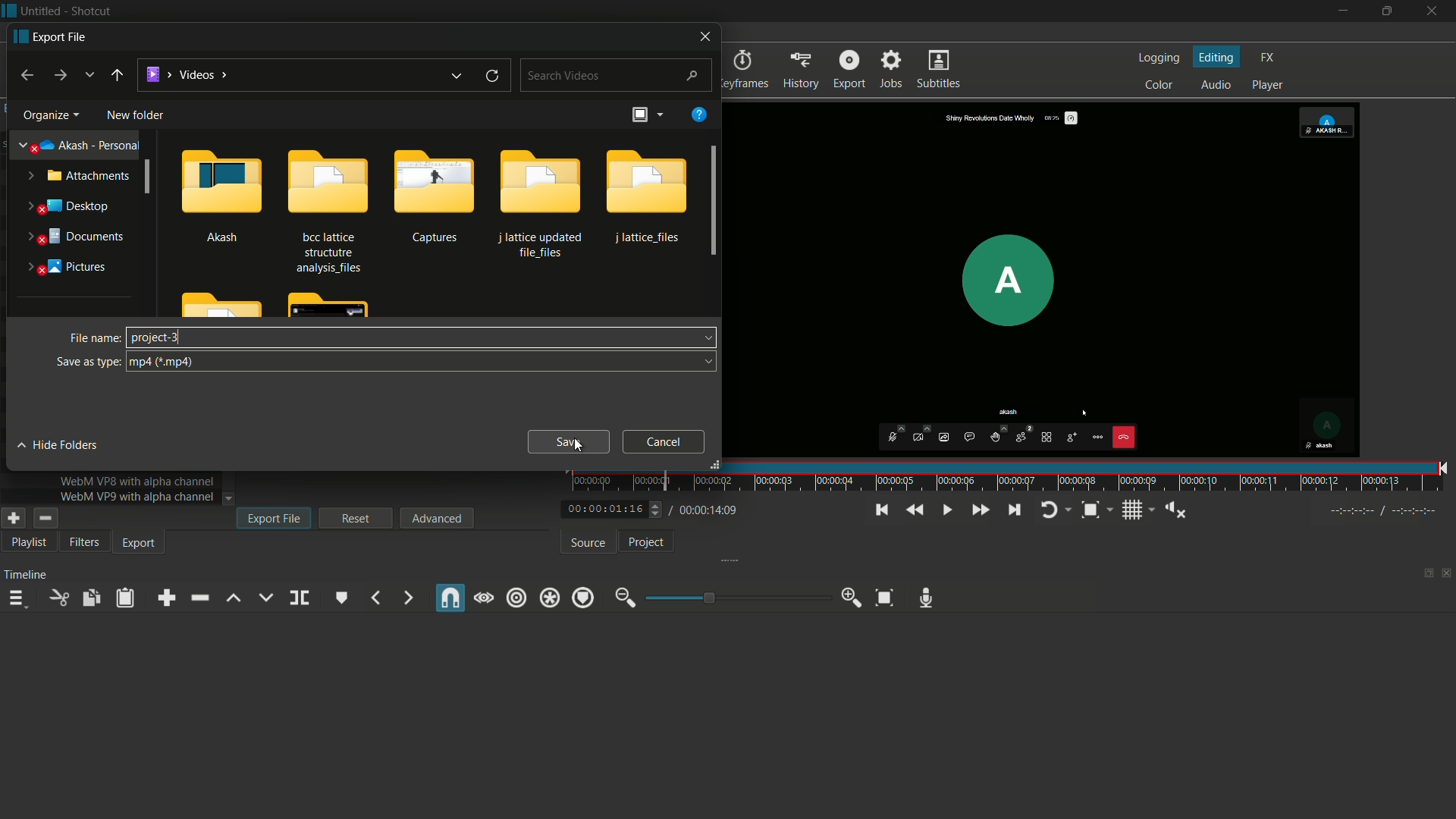  What do you see at coordinates (1340, 11) in the screenshot?
I see `minimize` at bounding box center [1340, 11].